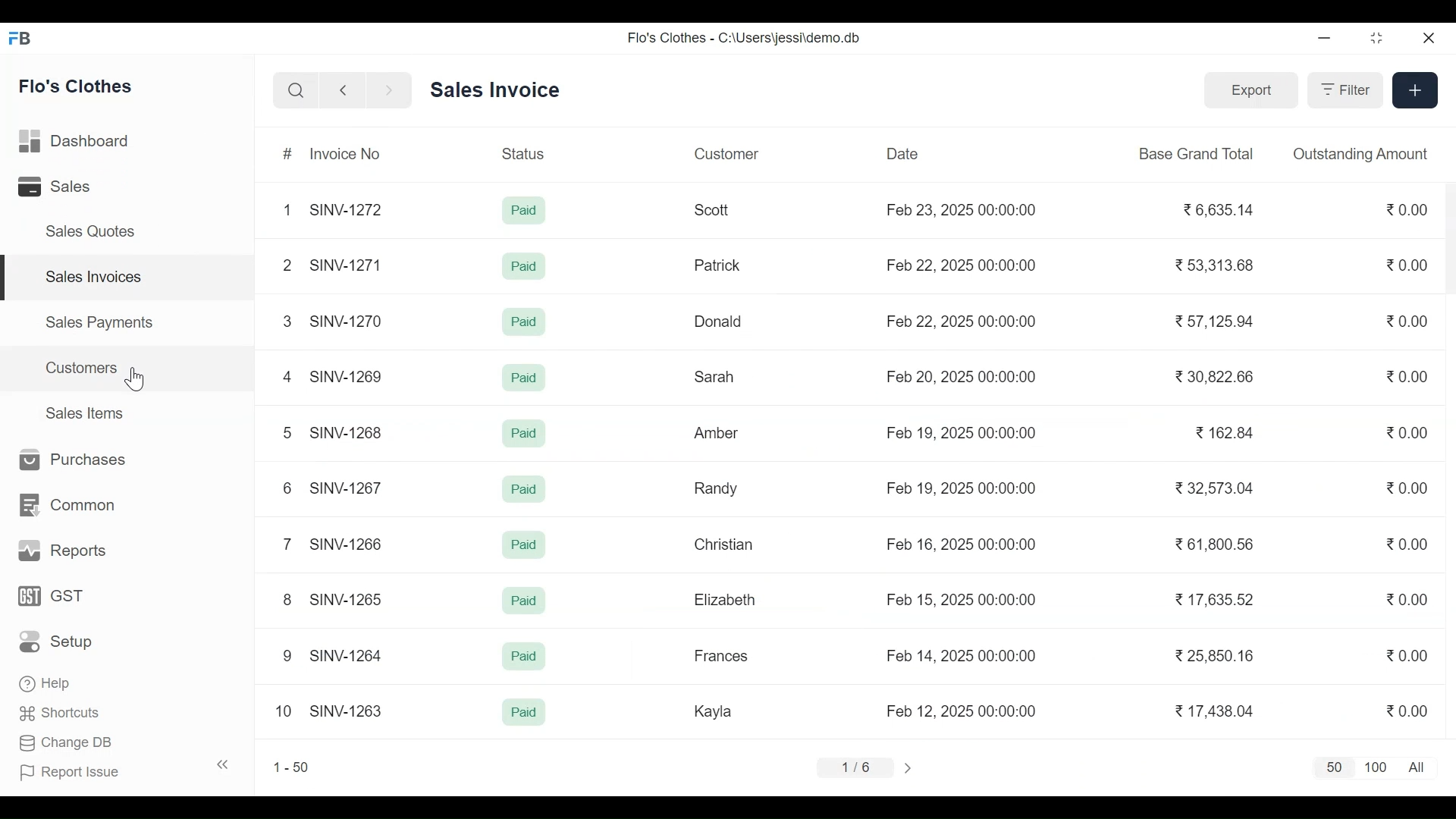 Image resolution: width=1456 pixels, height=819 pixels. Describe the element at coordinates (1407, 711) in the screenshot. I see `0.00` at that location.